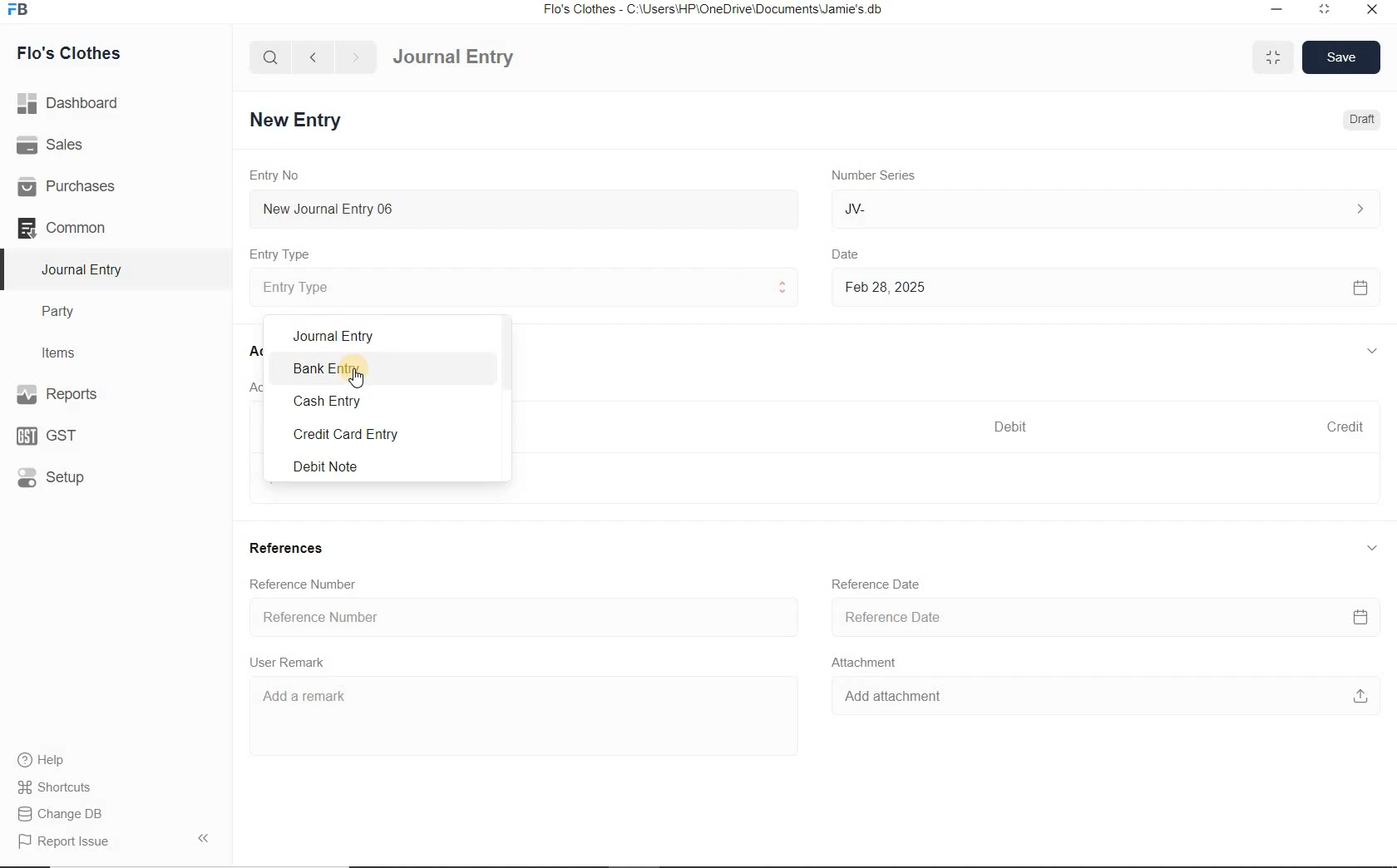  What do you see at coordinates (299, 119) in the screenshot?
I see `New Entry` at bounding box center [299, 119].